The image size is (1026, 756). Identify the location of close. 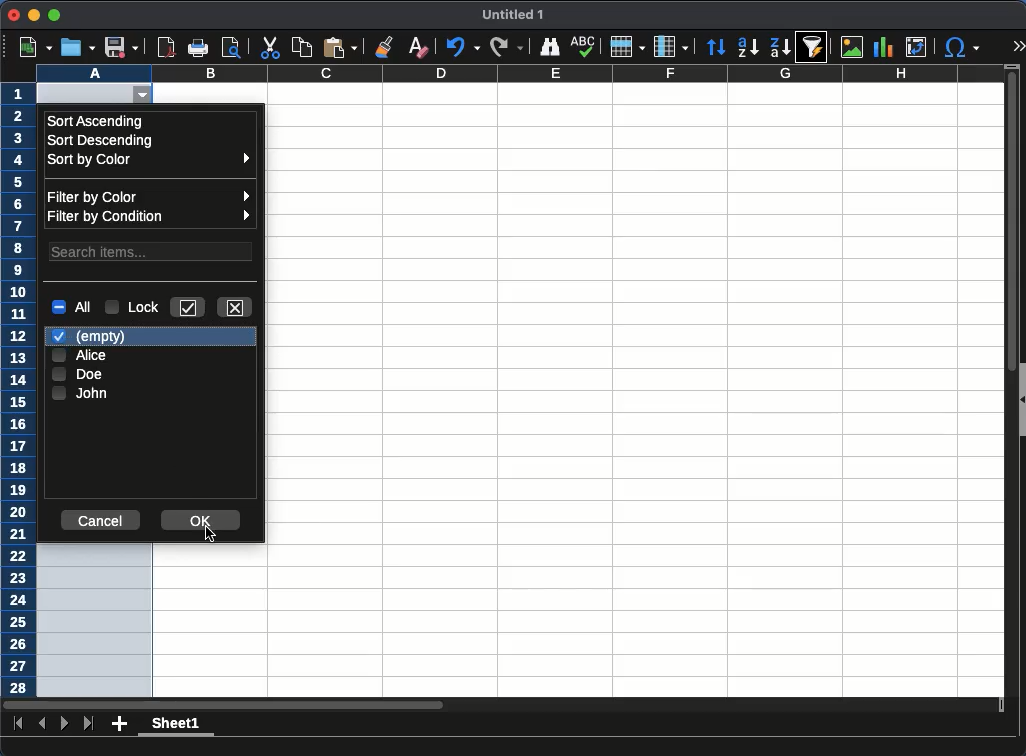
(14, 15).